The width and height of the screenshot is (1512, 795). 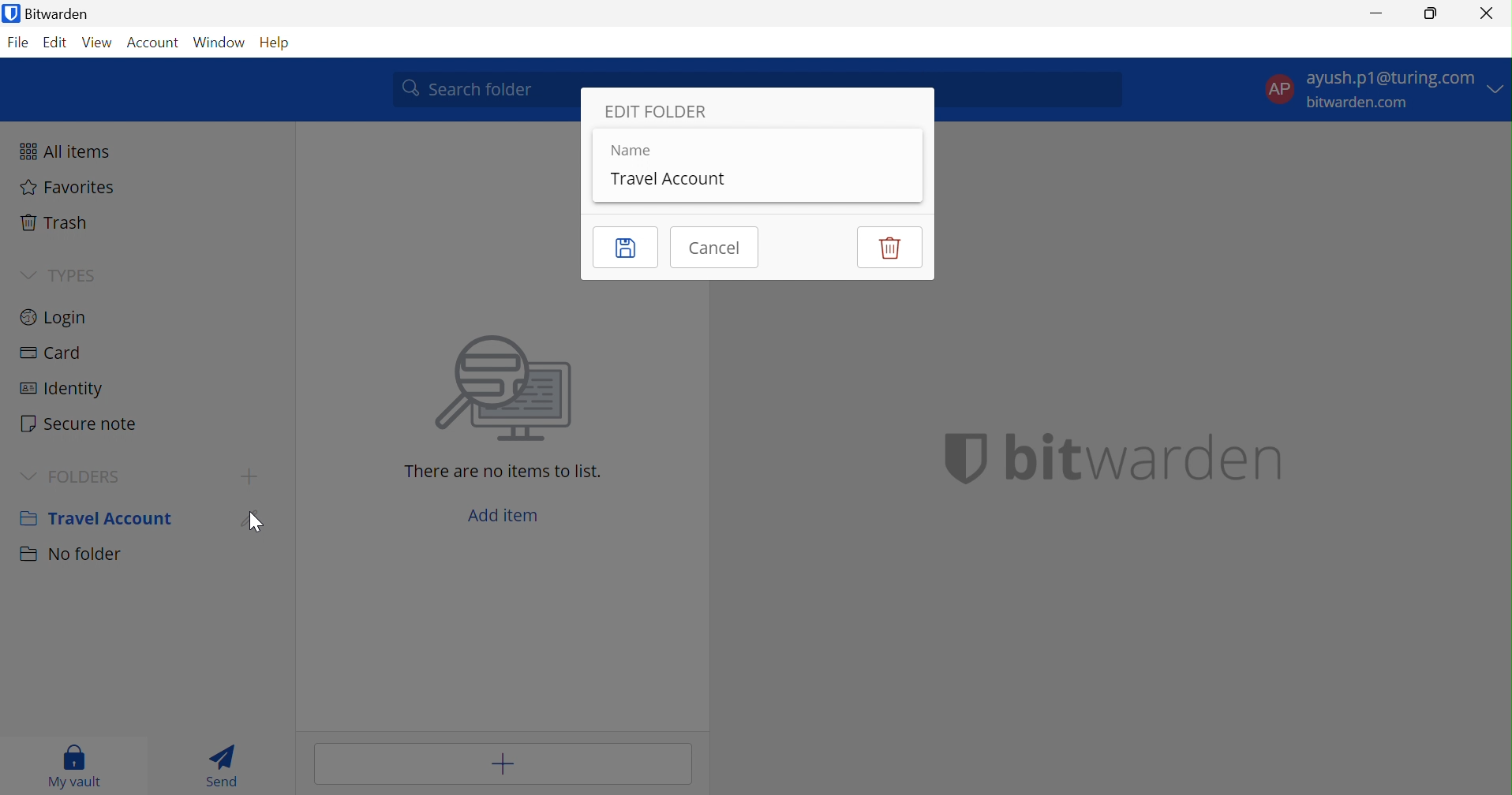 What do you see at coordinates (65, 388) in the screenshot?
I see `Identity` at bounding box center [65, 388].